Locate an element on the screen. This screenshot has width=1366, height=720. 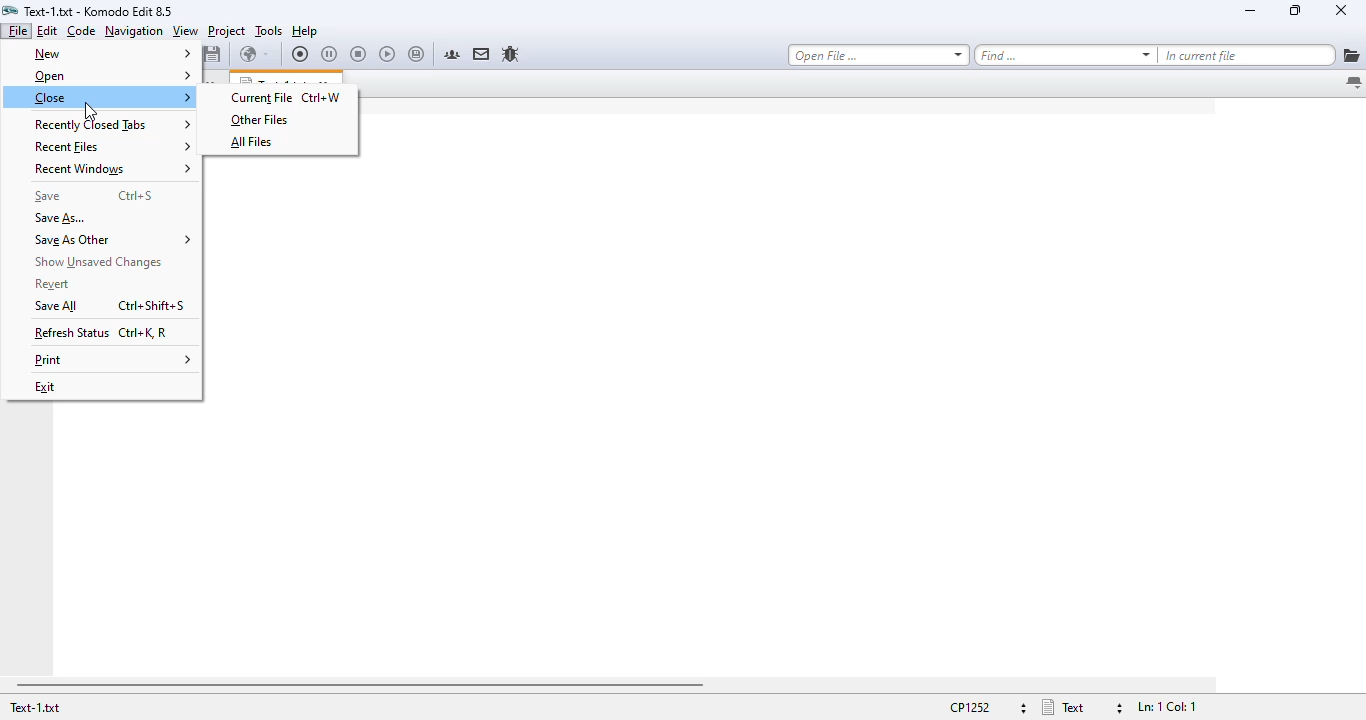
tools is located at coordinates (269, 31).